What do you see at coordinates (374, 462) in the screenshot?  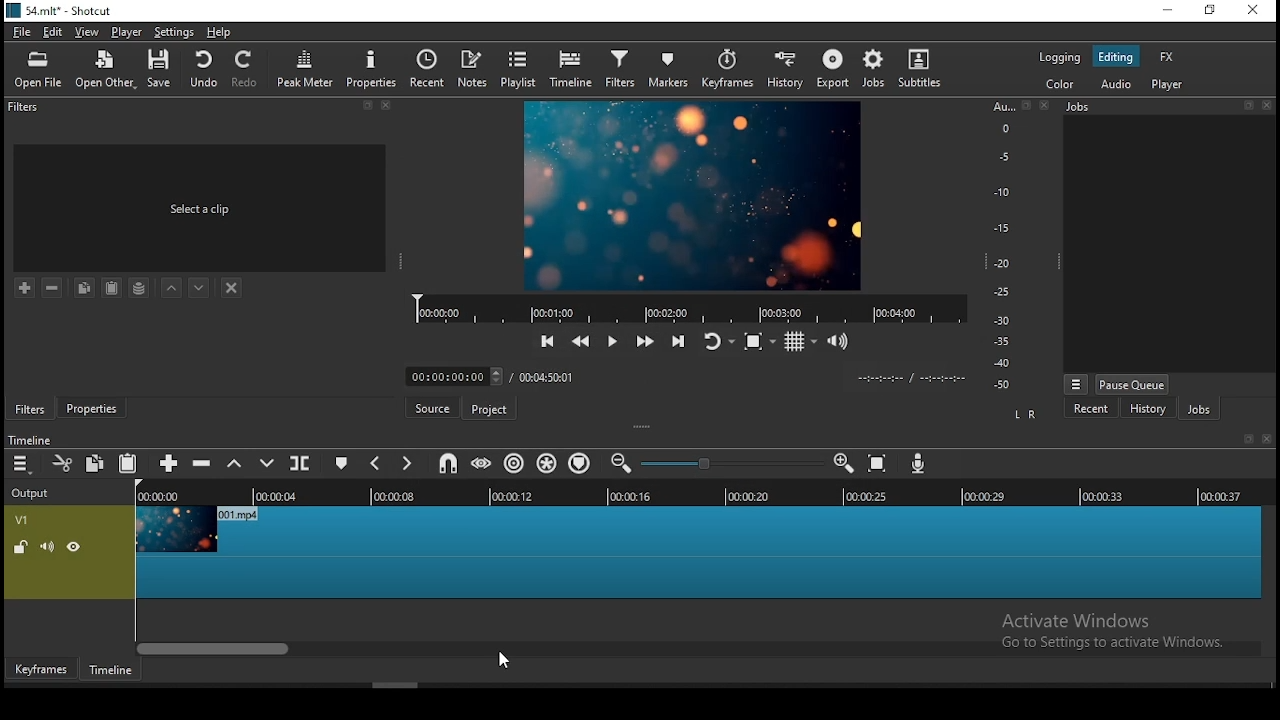 I see `previous marker` at bounding box center [374, 462].